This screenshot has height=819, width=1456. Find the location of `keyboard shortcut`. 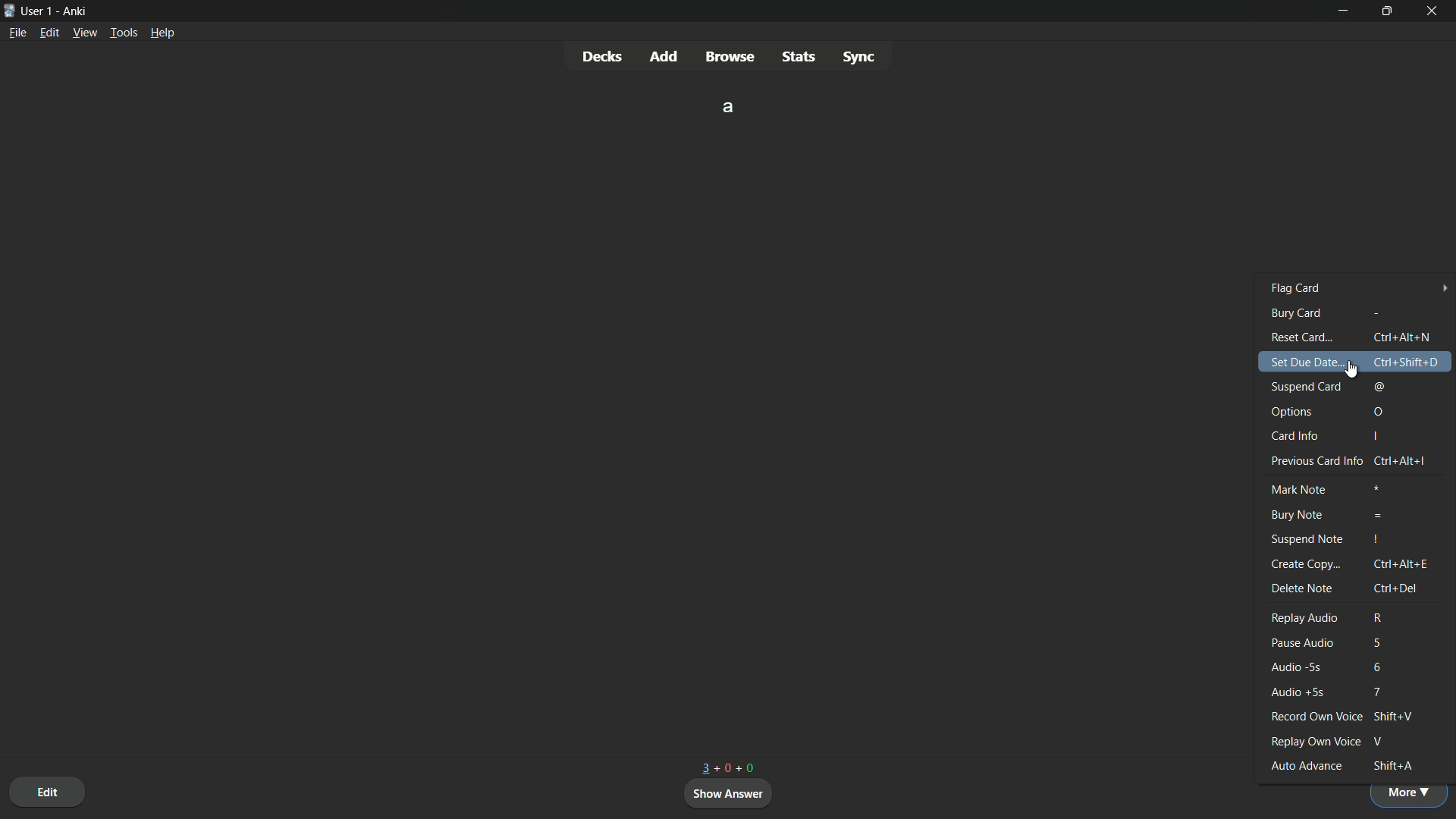

keyboard shortcut is located at coordinates (1376, 666).